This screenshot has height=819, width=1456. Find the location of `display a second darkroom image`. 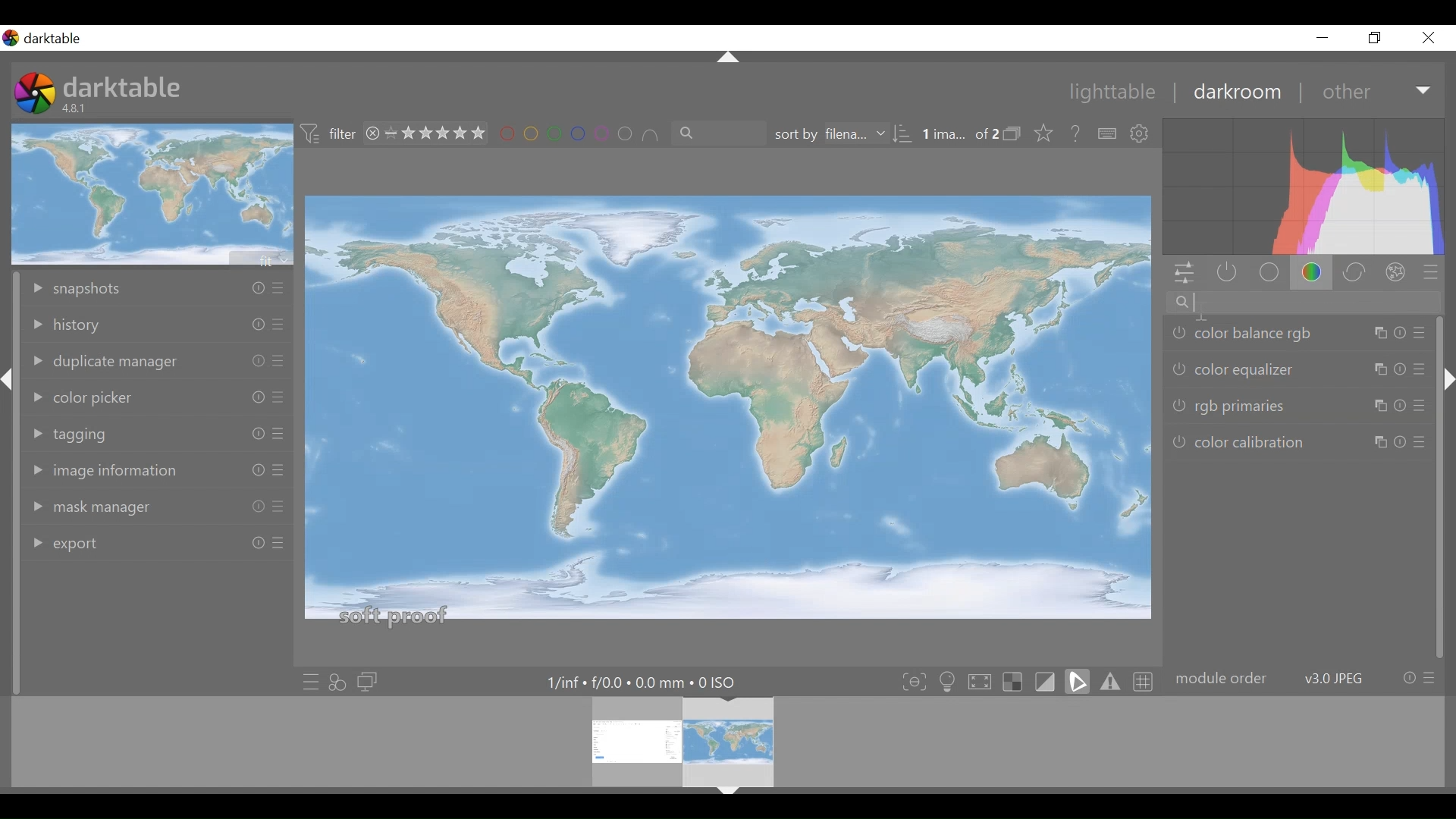

display a second darkroom image is located at coordinates (370, 682).